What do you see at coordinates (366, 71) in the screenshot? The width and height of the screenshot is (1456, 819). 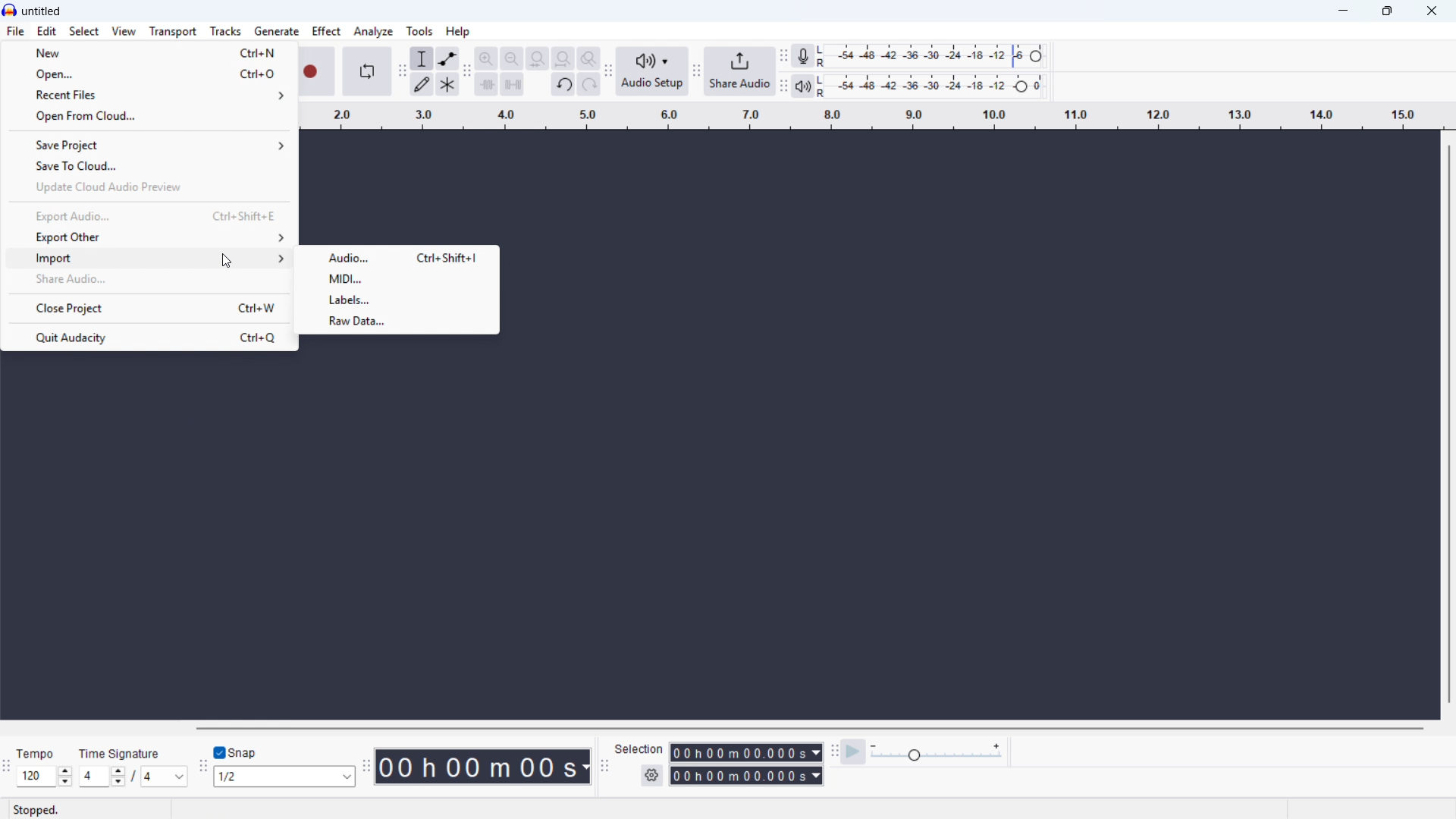 I see `Enable looping ` at bounding box center [366, 71].